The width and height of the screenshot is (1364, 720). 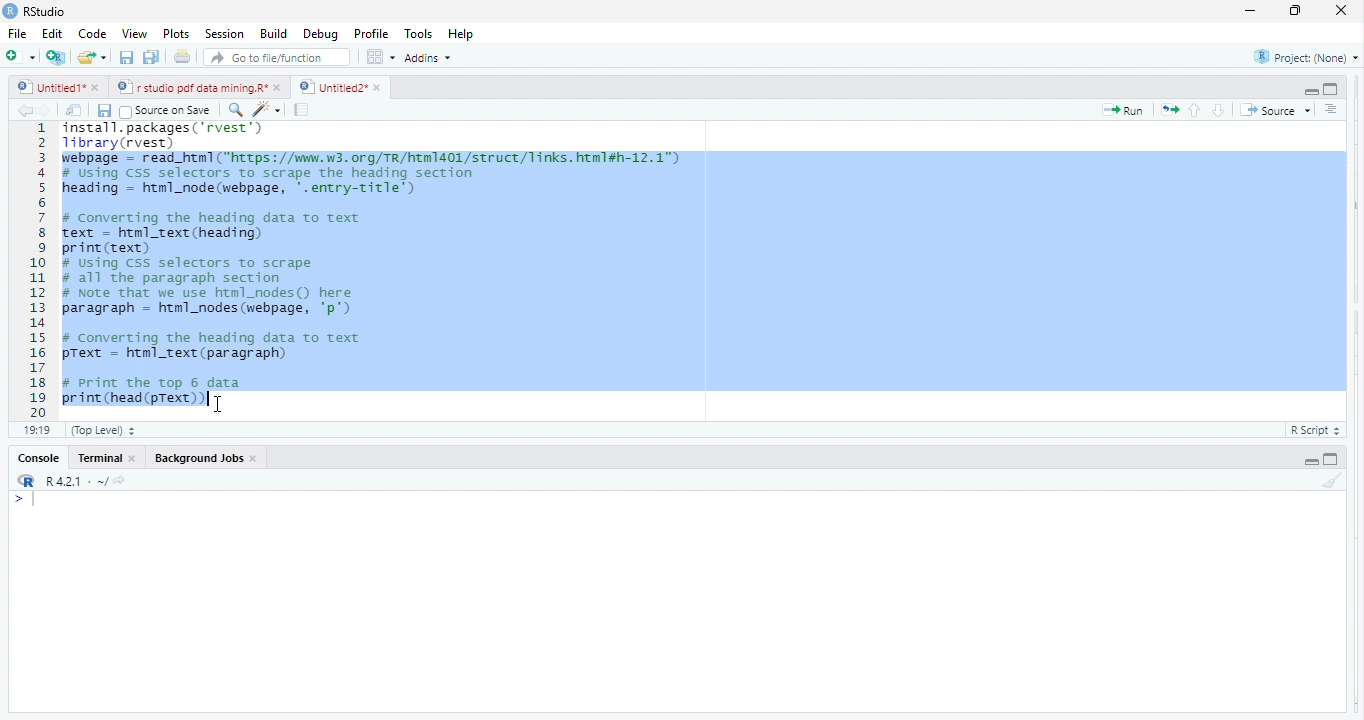 I want to click on find/replace, so click(x=234, y=109).